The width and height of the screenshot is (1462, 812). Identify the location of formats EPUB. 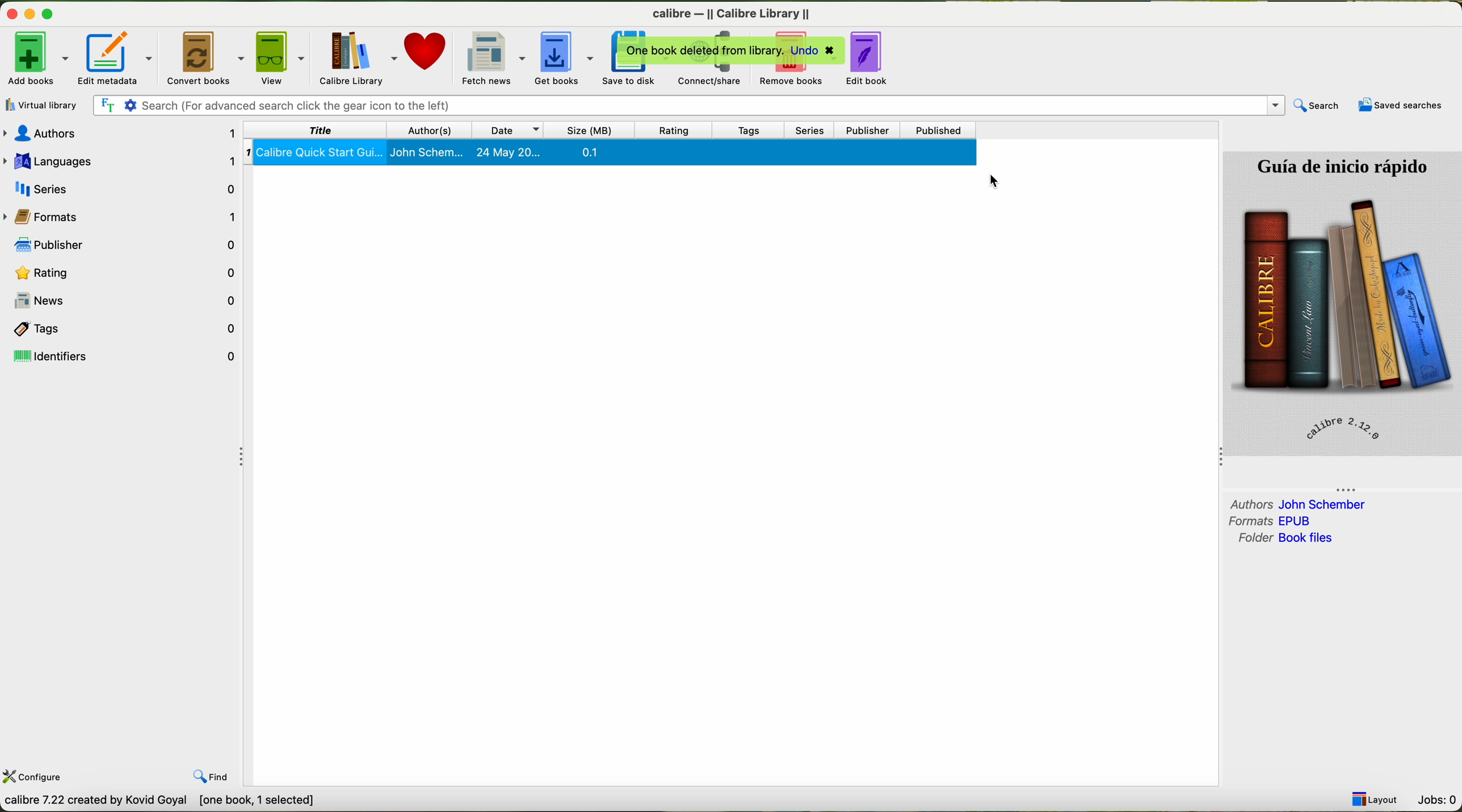
(1275, 520).